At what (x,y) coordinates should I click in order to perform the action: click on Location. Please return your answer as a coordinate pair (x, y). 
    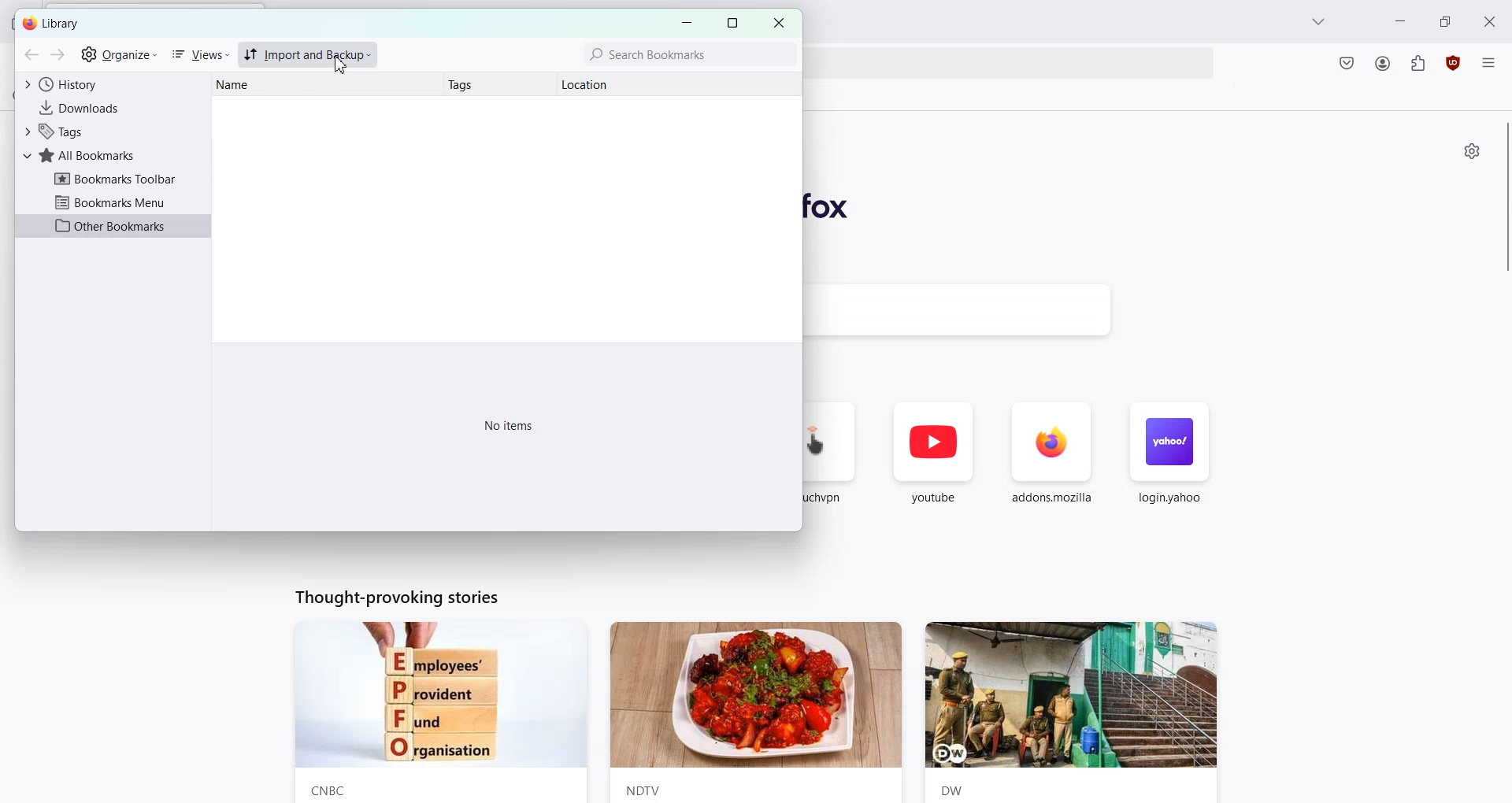
    Looking at the image, I should click on (602, 84).